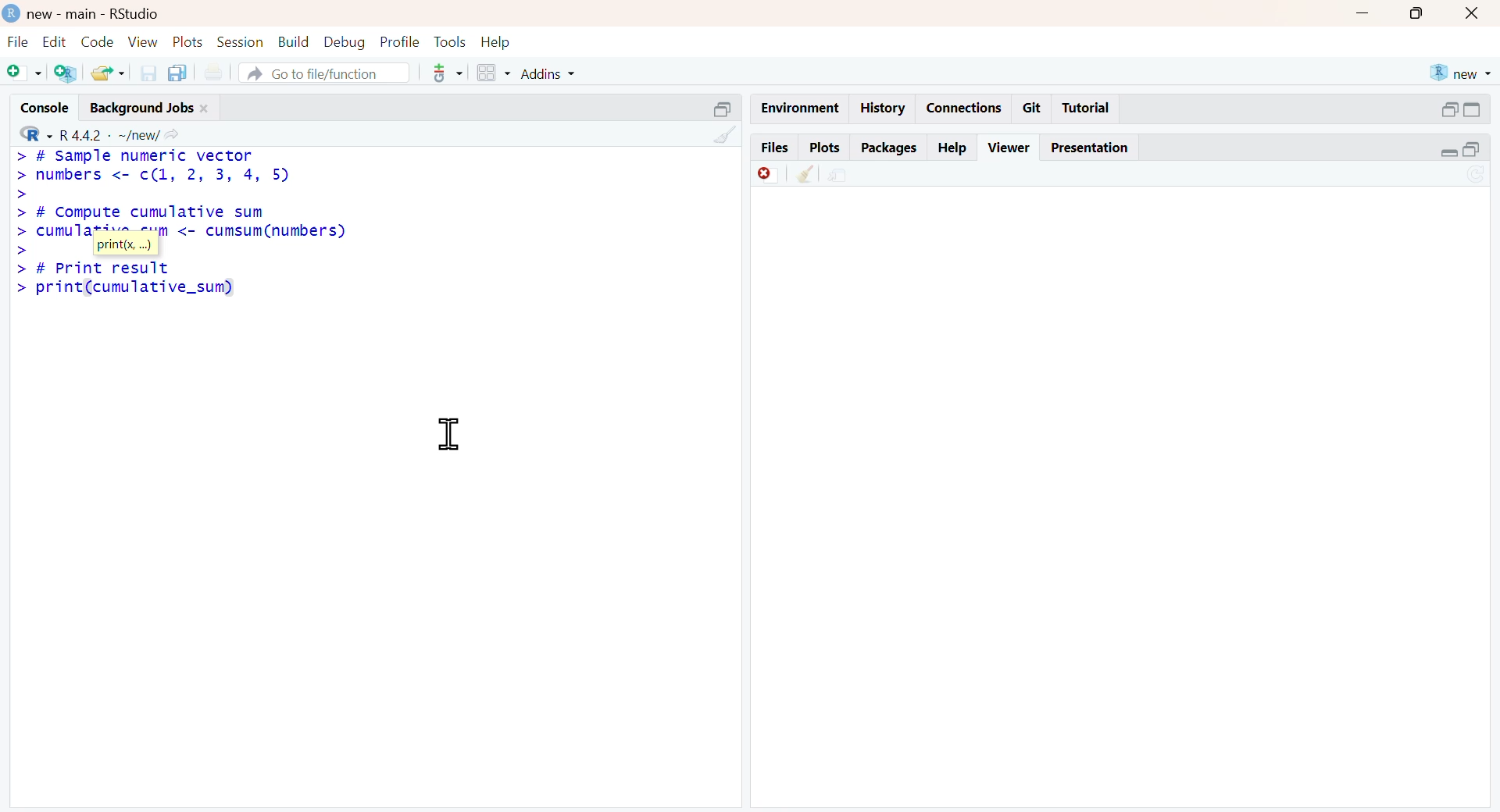 The image size is (1500, 812). What do you see at coordinates (12, 14) in the screenshot?
I see `logo` at bounding box center [12, 14].